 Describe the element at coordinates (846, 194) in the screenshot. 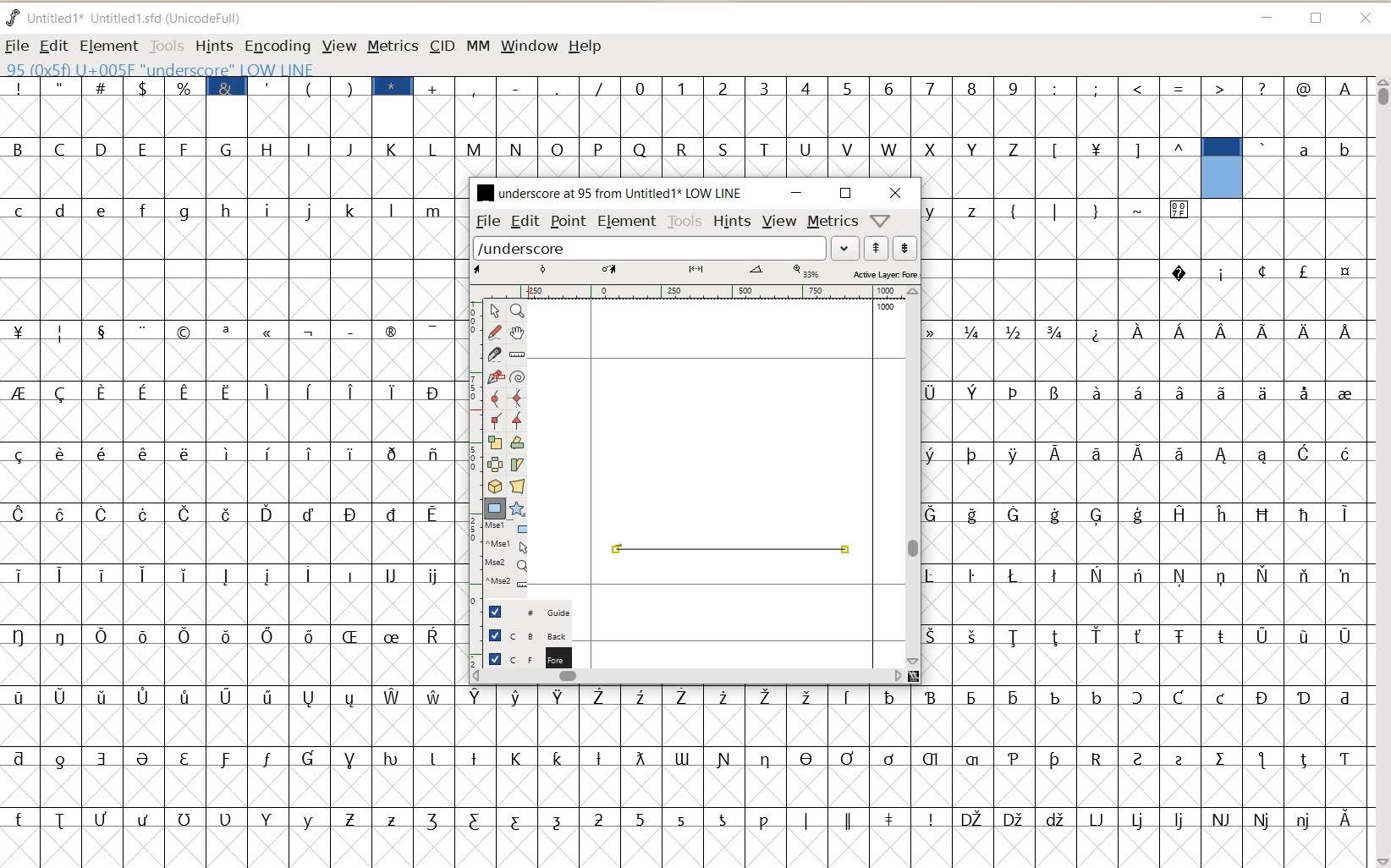

I see `RESTORE` at that location.